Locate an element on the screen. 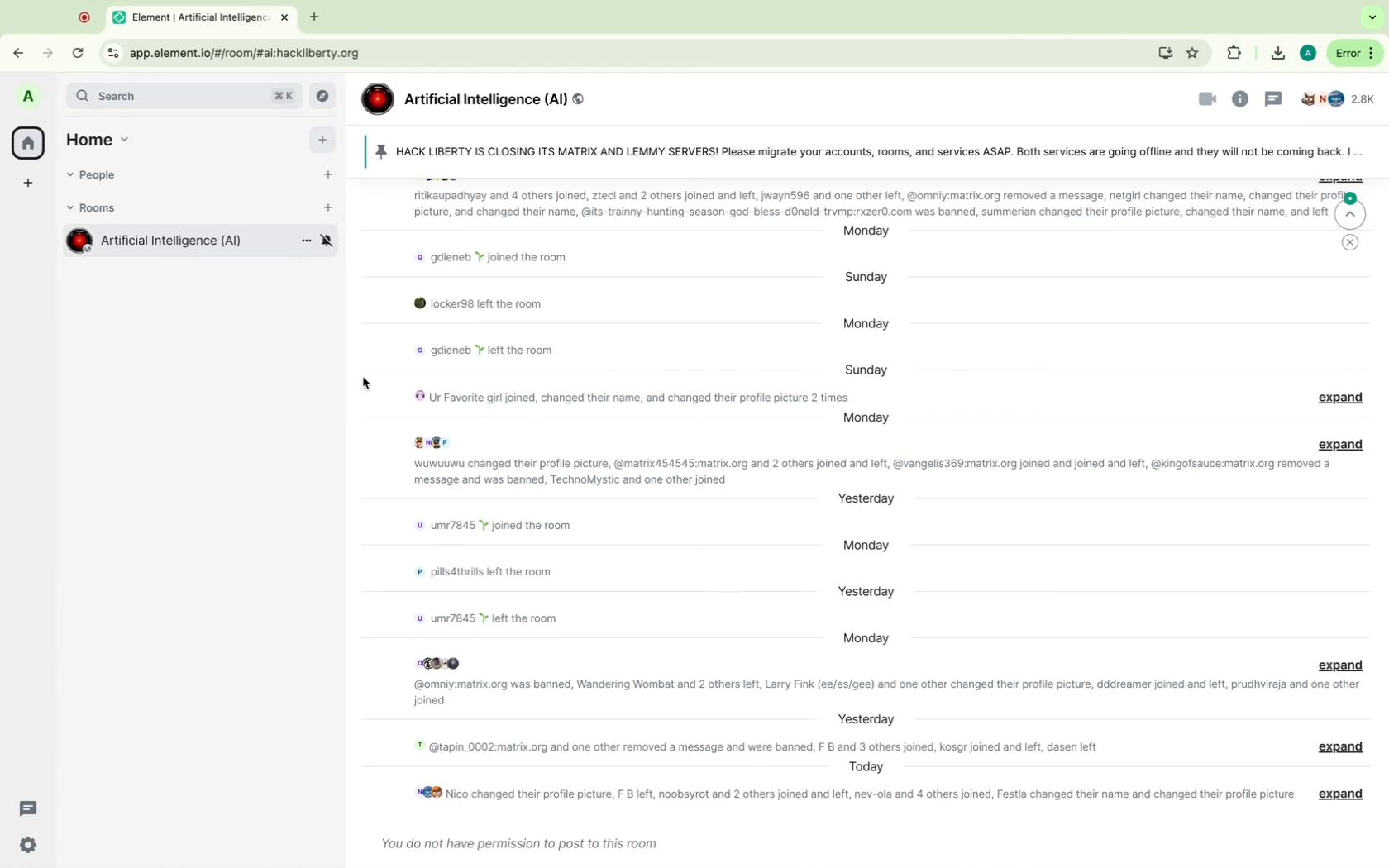 The width and height of the screenshot is (1389, 868). search tabs is located at coordinates (1372, 18).